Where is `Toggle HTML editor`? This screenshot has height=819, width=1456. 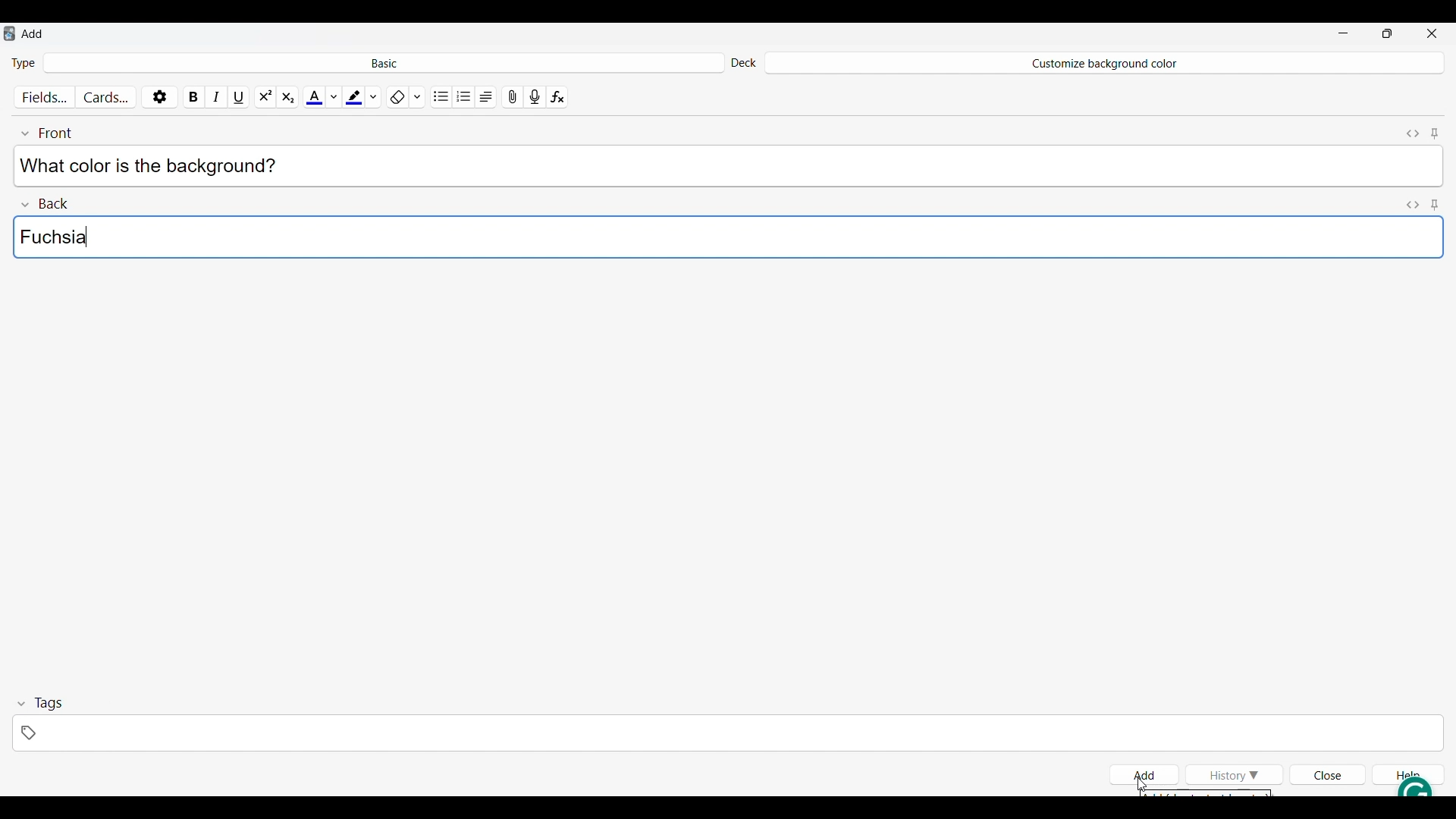 Toggle HTML editor is located at coordinates (1414, 131).